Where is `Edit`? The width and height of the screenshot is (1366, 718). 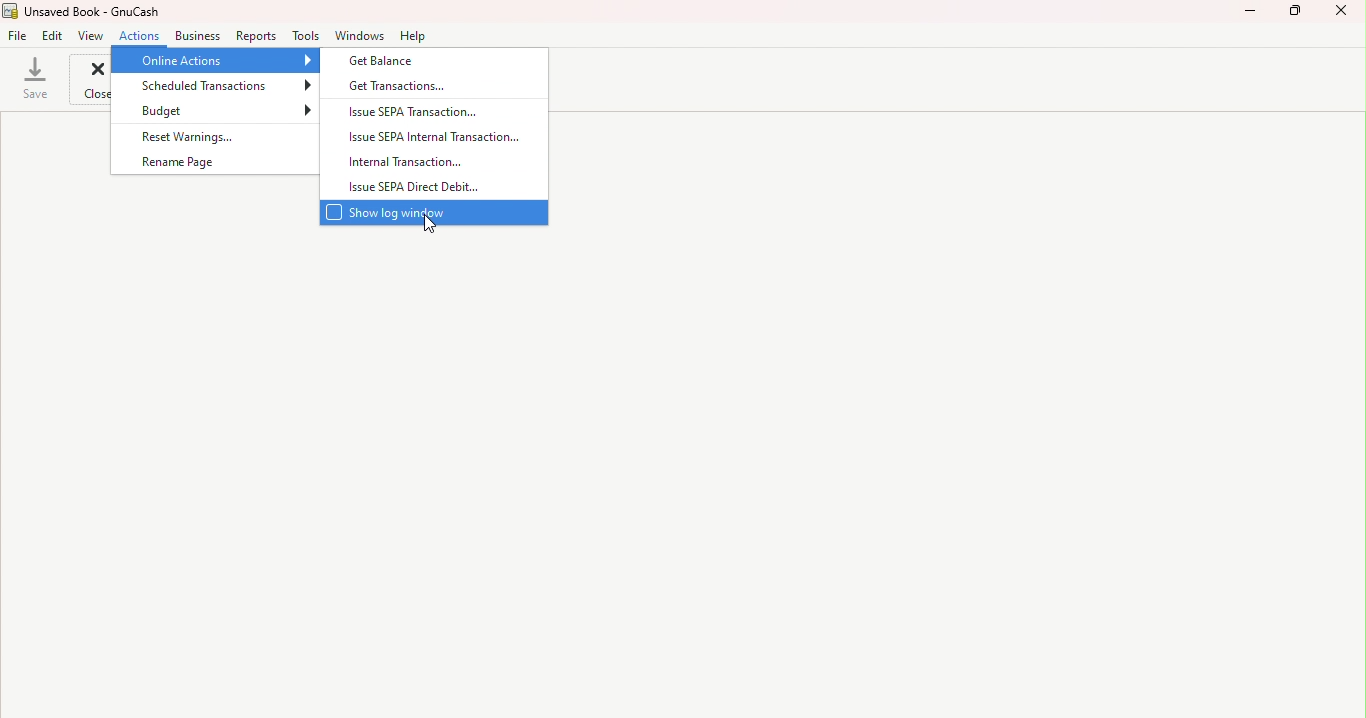
Edit is located at coordinates (54, 35).